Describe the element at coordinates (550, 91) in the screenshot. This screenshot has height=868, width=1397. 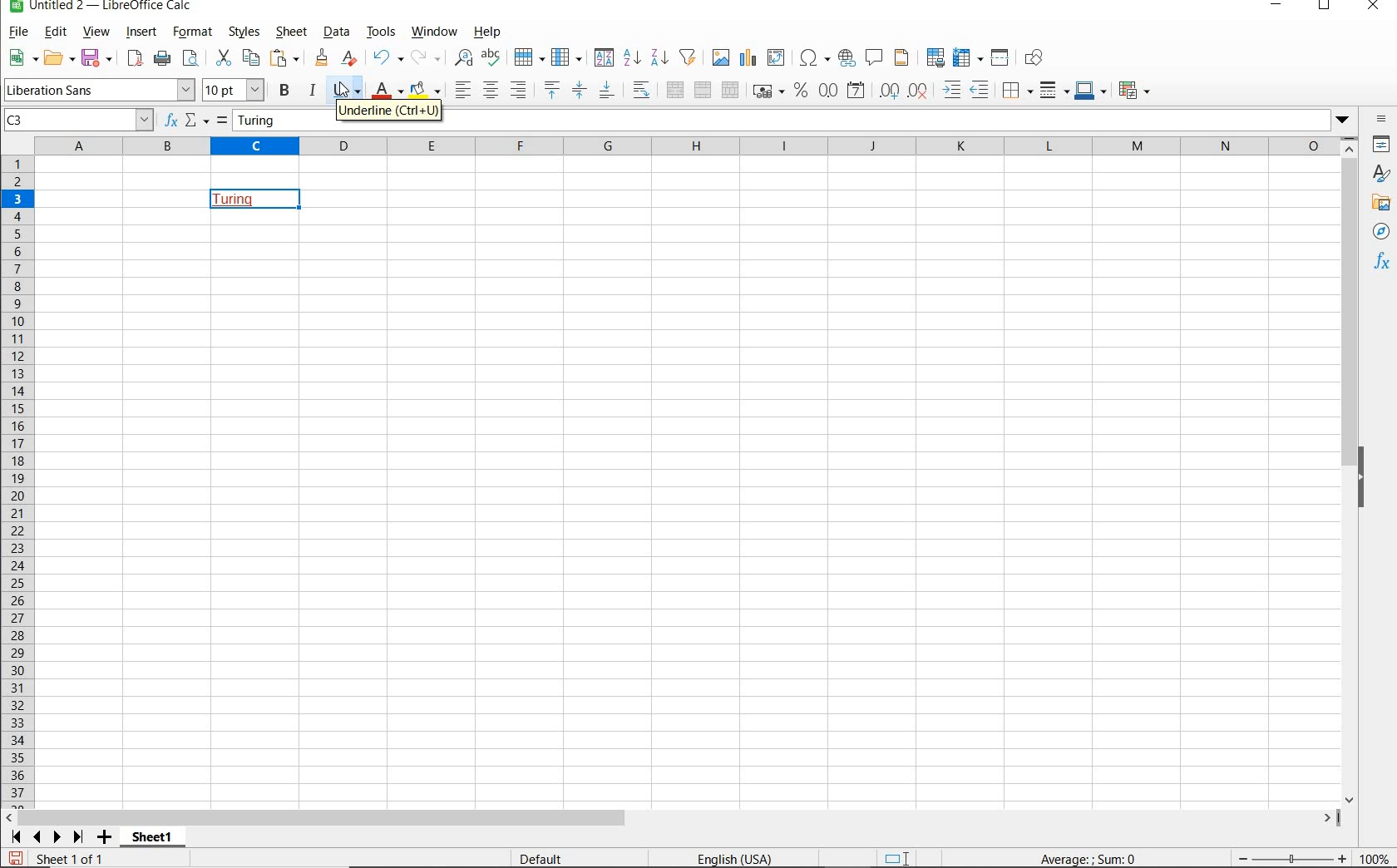
I see `ALIGN TOP` at that location.